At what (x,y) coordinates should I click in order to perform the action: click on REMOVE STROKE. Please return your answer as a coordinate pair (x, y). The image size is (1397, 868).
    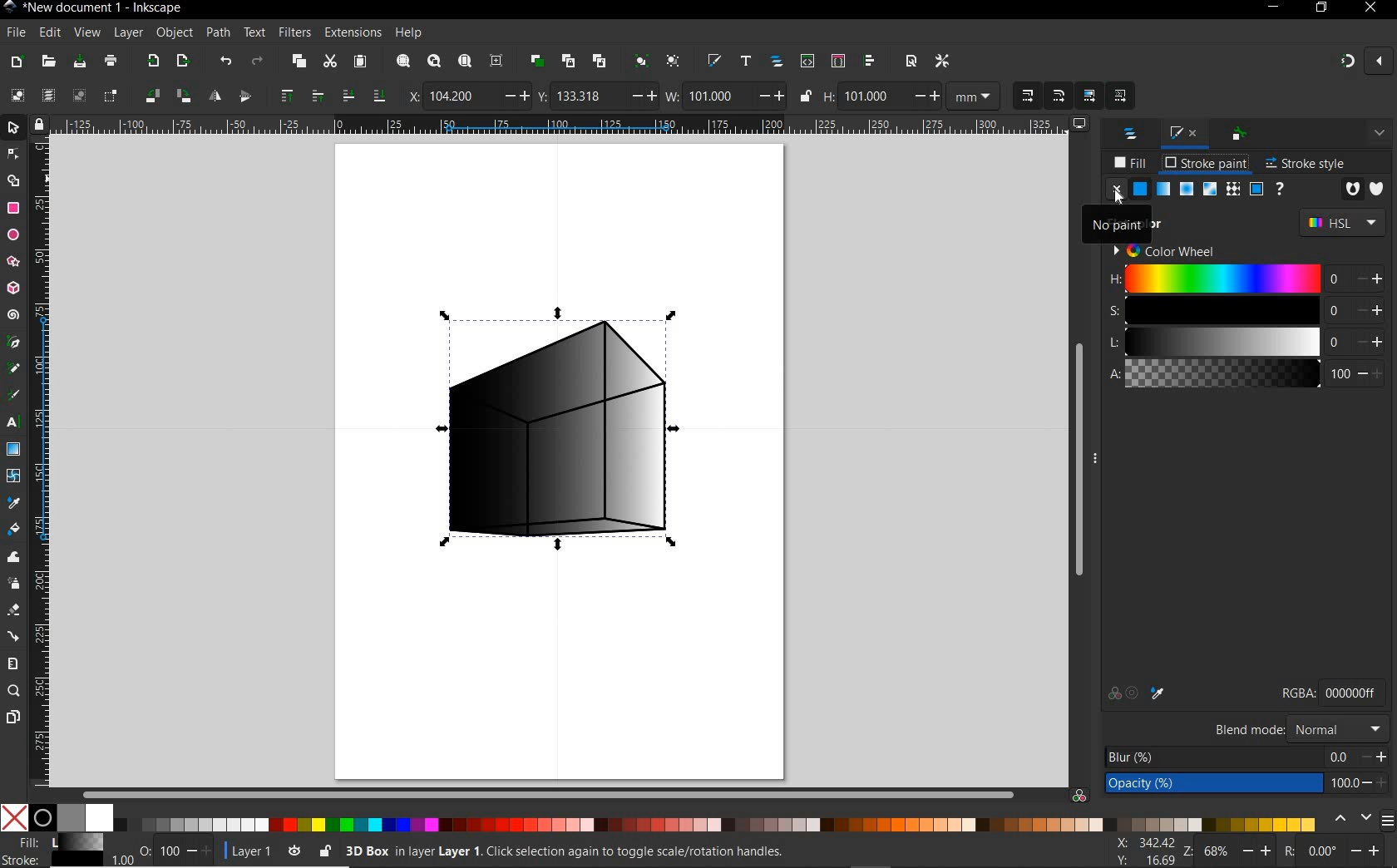
    Looking at the image, I should click on (1116, 191).